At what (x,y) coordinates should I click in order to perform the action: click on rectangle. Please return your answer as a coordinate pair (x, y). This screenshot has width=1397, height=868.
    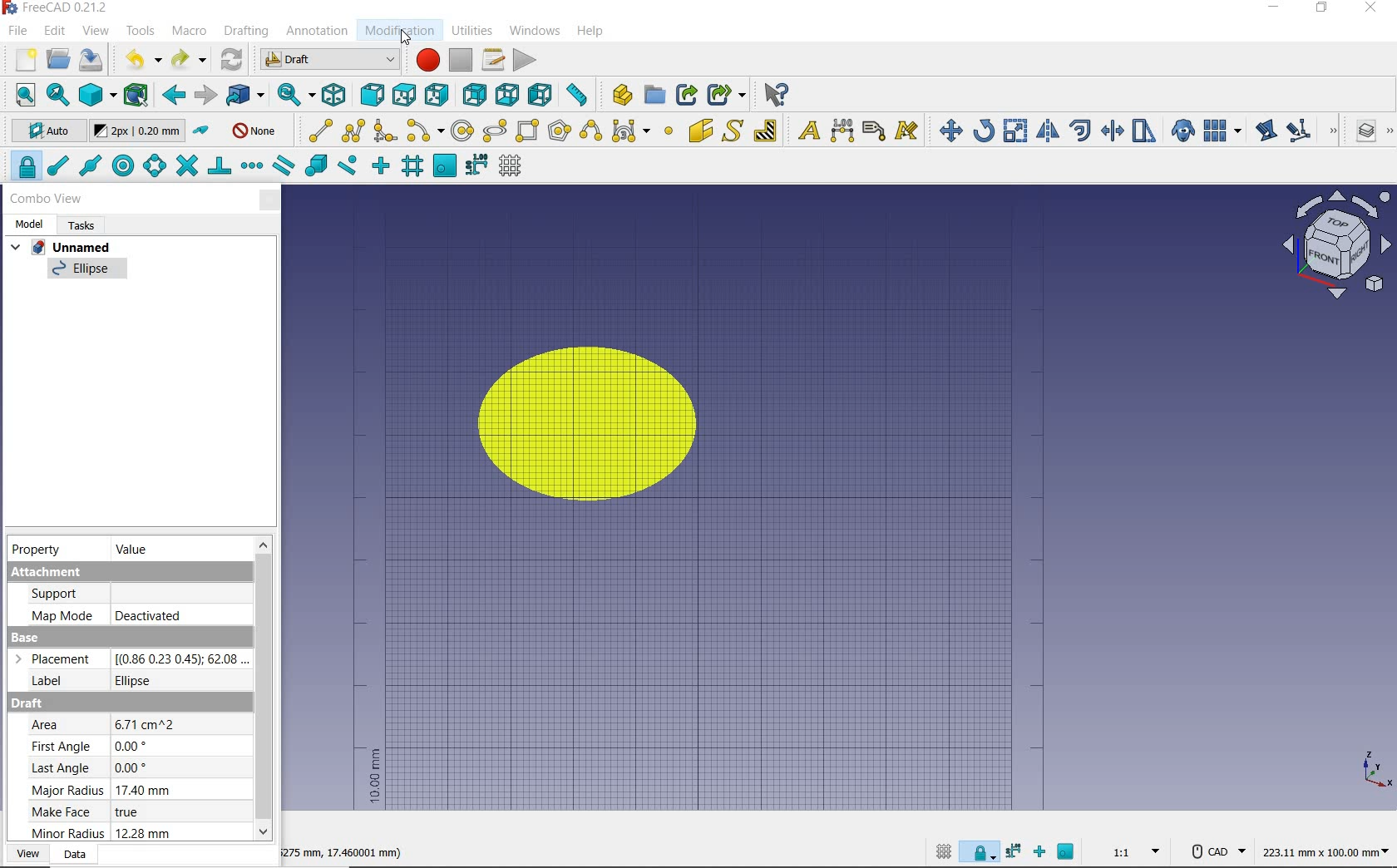
    Looking at the image, I should click on (527, 132).